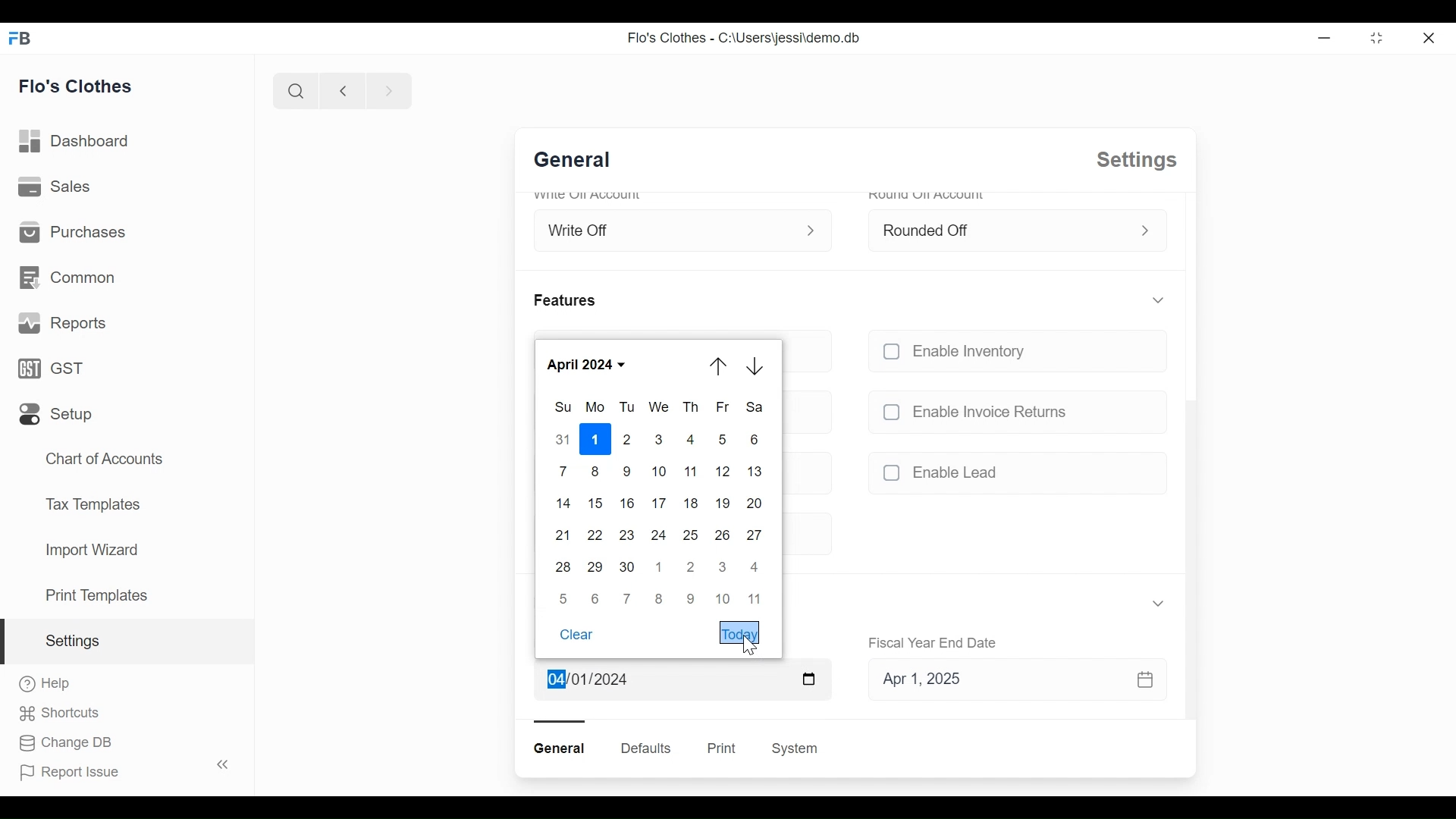  What do you see at coordinates (598, 472) in the screenshot?
I see `8` at bounding box center [598, 472].